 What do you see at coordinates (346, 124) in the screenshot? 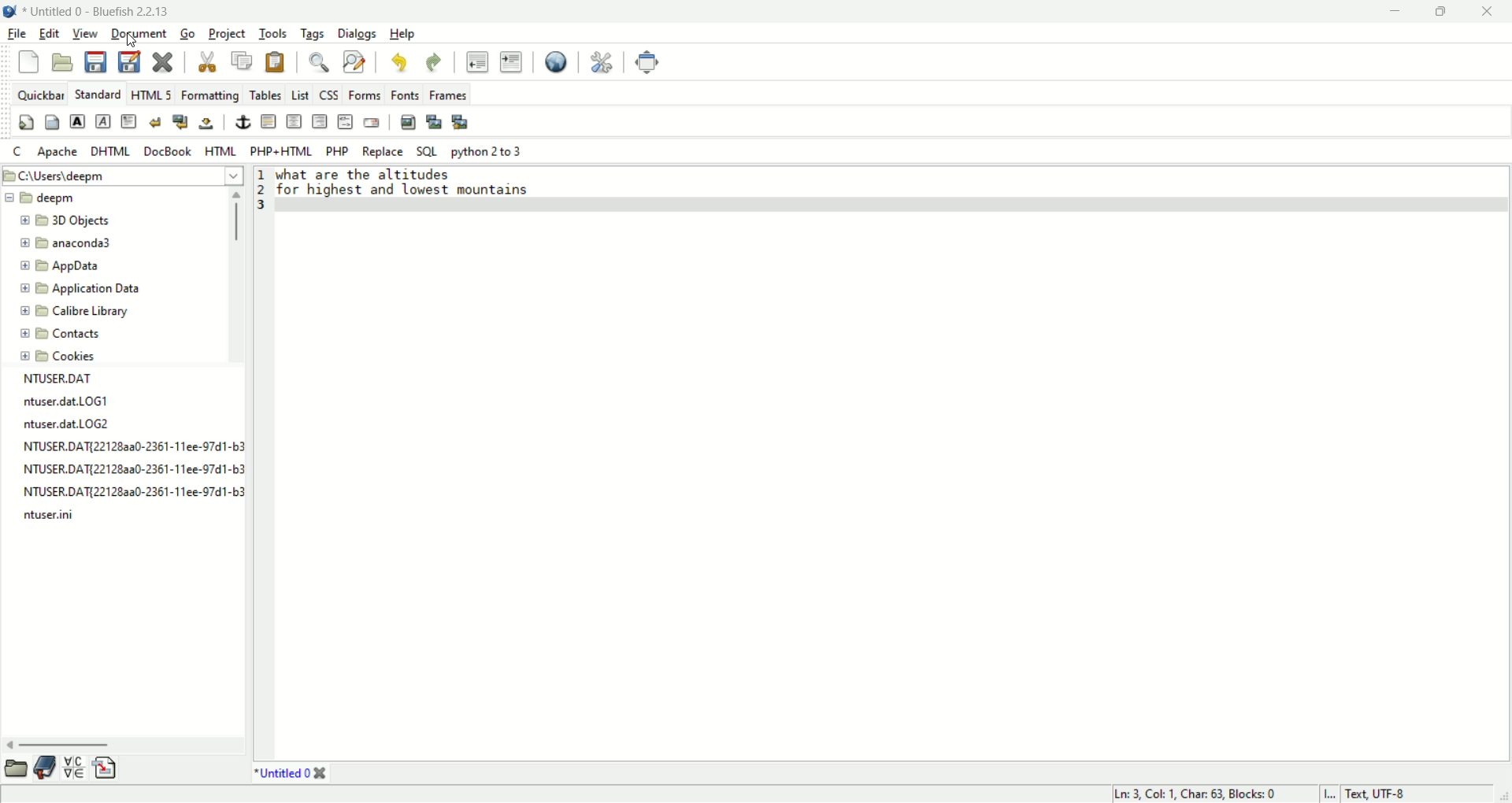
I see `HTML comment` at bounding box center [346, 124].